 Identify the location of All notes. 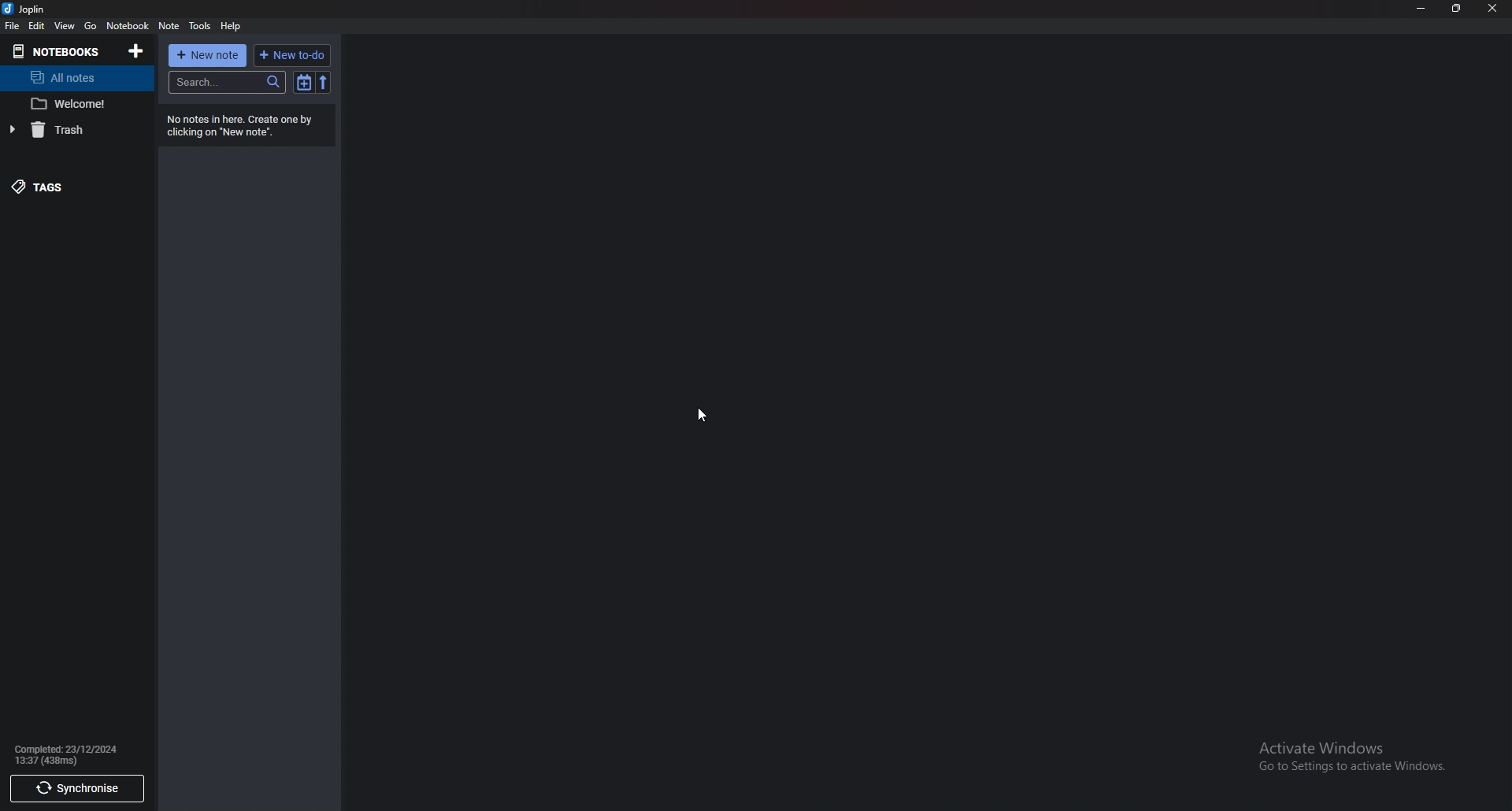
(66, 80).